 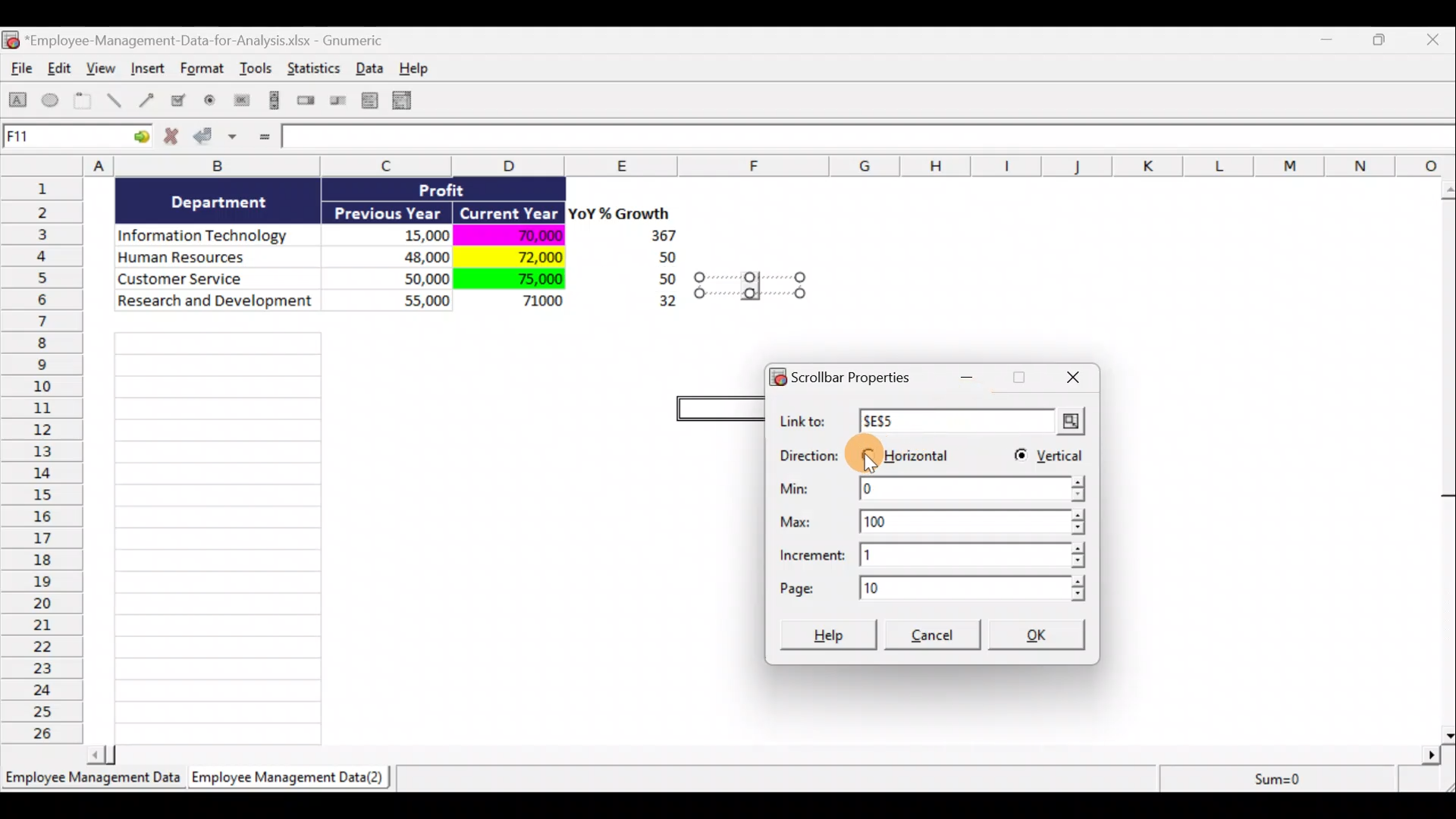 I want to click on Sheet 1, so click(x=95, y=783).